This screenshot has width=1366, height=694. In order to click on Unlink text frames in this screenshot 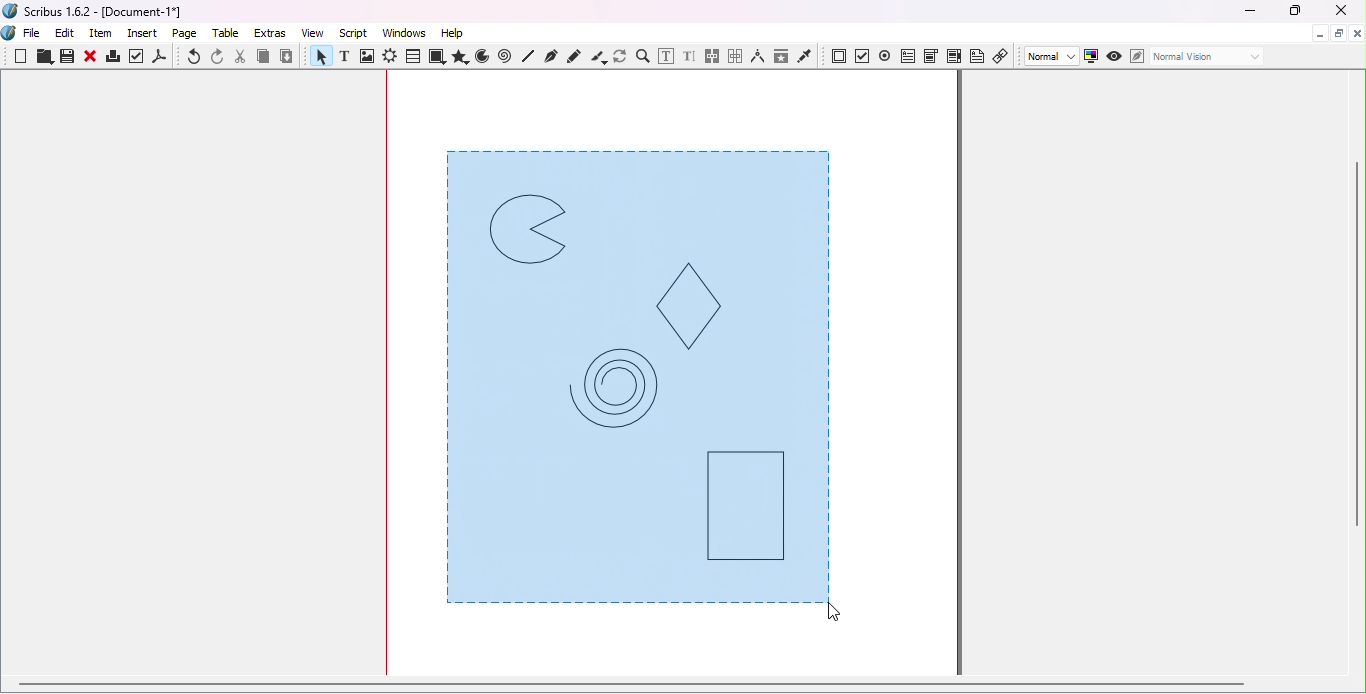, I will do `click(735, 56)`.